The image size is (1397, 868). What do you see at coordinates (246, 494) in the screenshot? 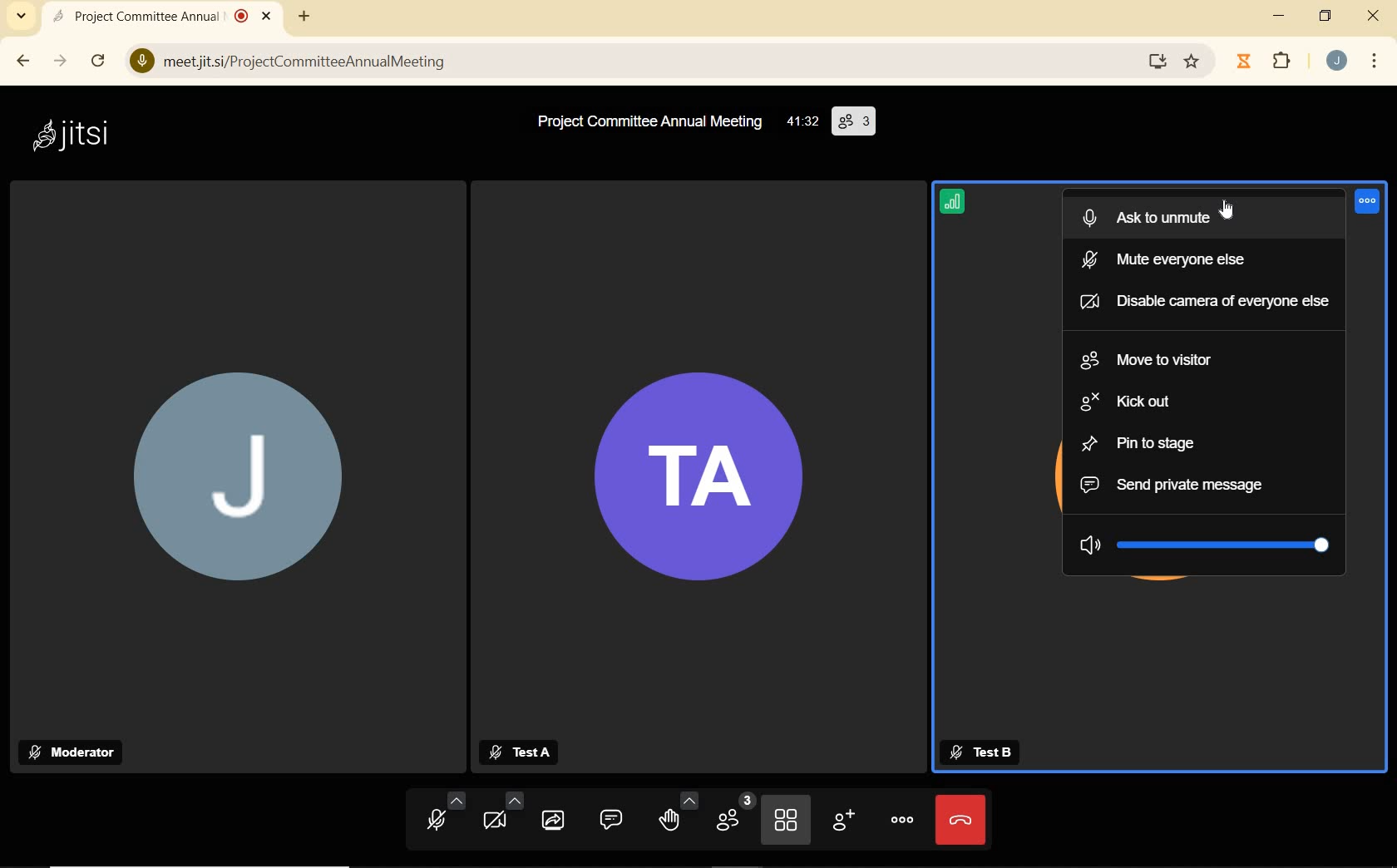
I see `J` at bounding box center [246, 494].